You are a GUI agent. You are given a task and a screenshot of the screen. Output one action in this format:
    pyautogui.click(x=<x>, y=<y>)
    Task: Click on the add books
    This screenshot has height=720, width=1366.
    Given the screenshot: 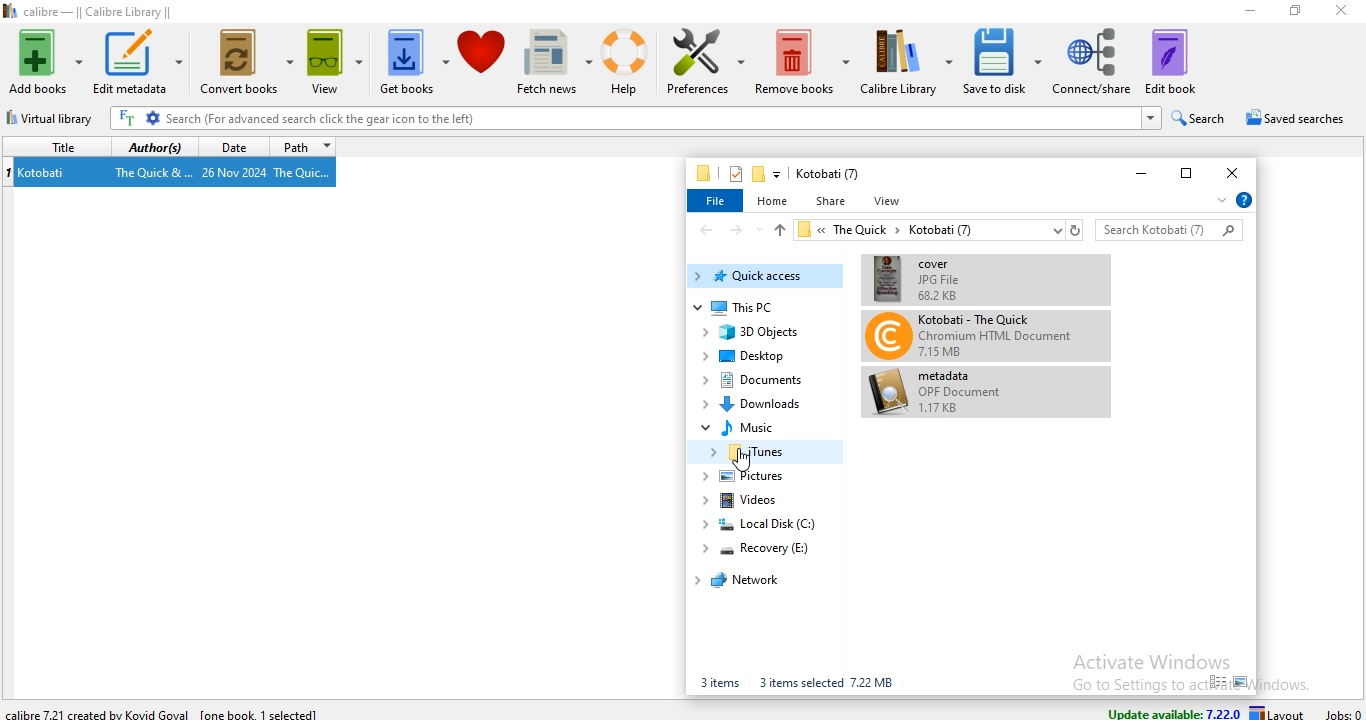 What is the action you would take?
    pyautogui.click(x=45, y=62)
    